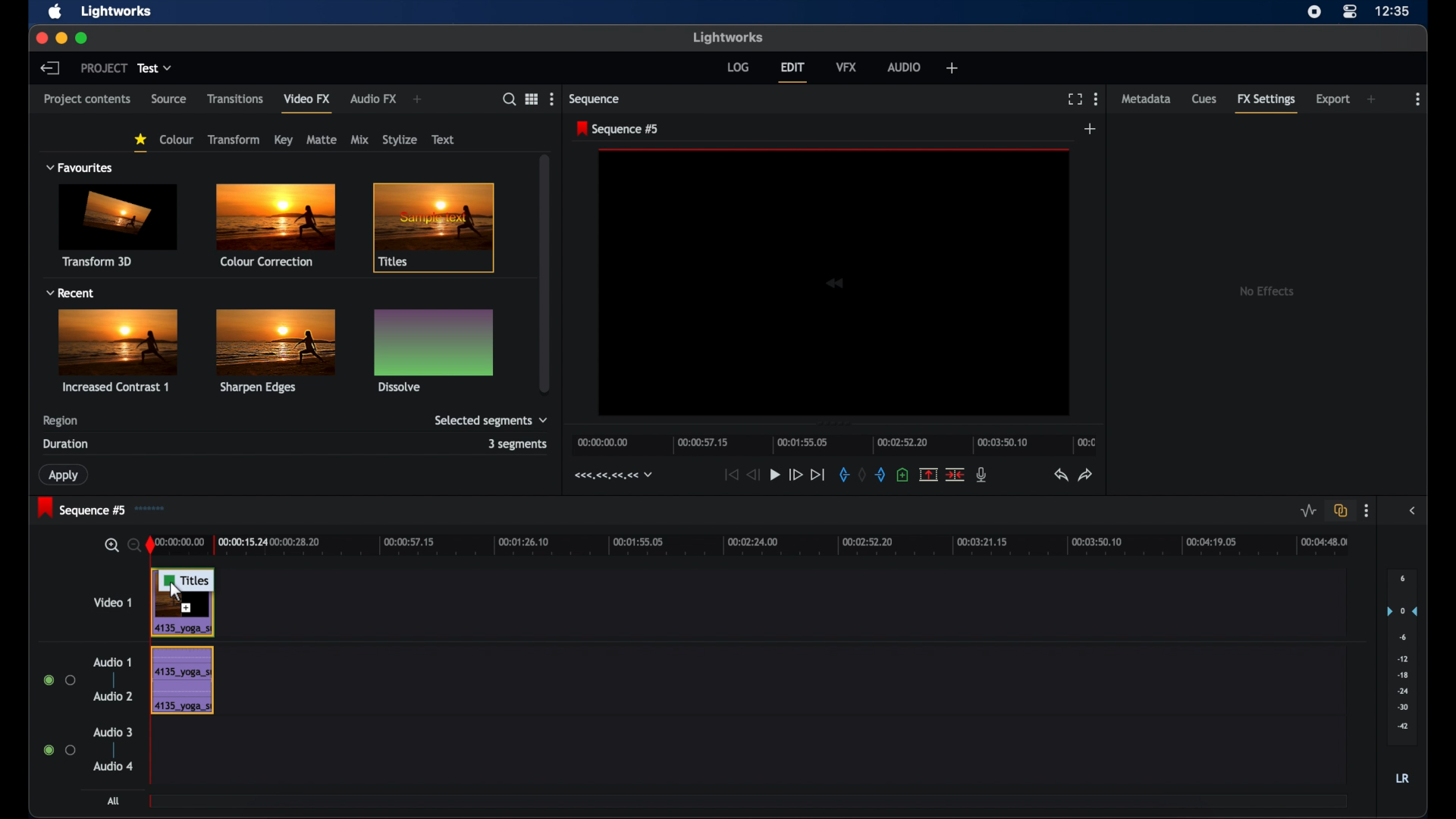  What do you see at coordinates (375, 99) in the screenshot?
I see `audio fx` at bounding box center [375, 99].